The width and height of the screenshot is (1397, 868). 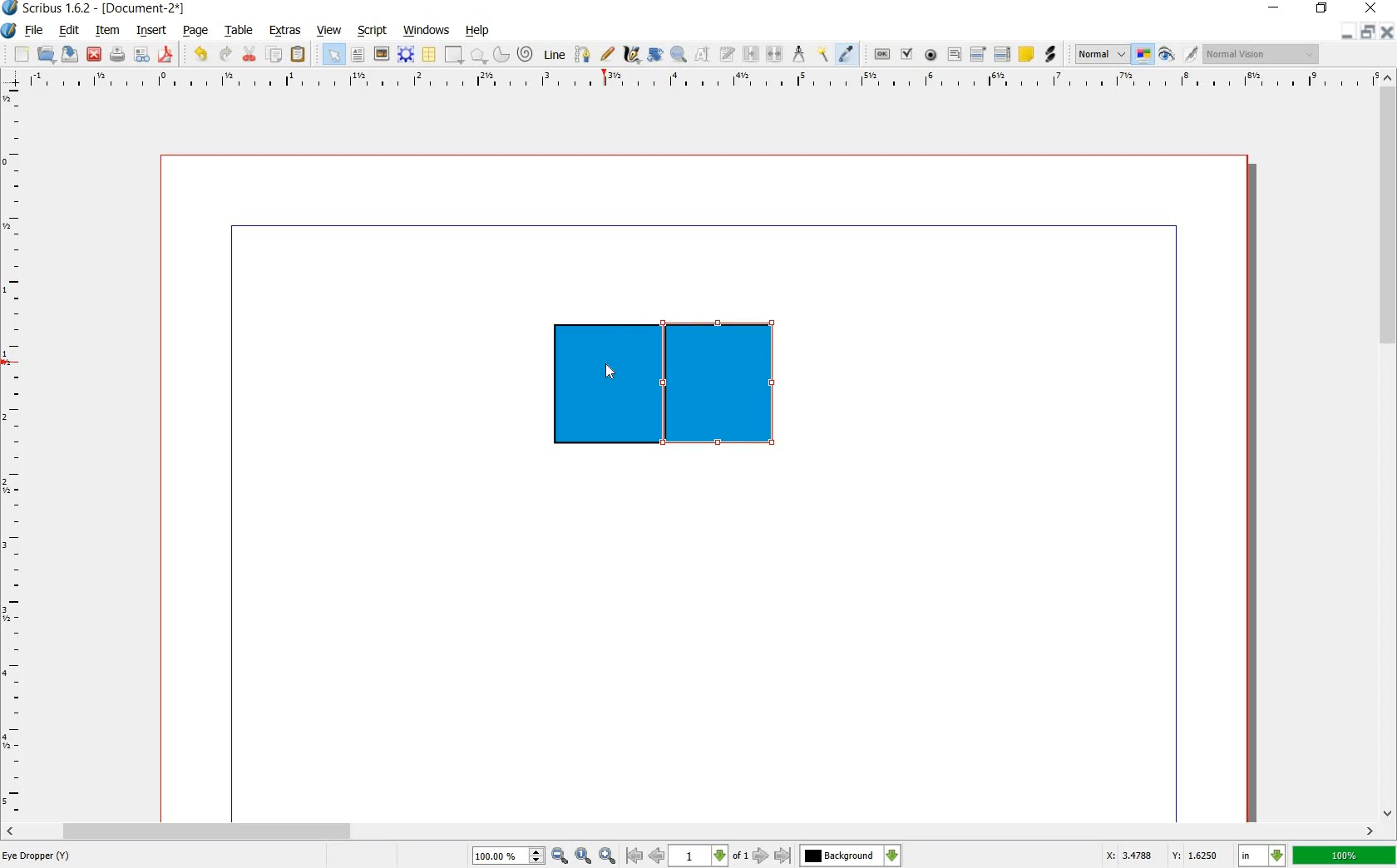 What do you see at coordinates (381, 55) in the screenshot?
I see `image frame` at bounding box center [381, 55].